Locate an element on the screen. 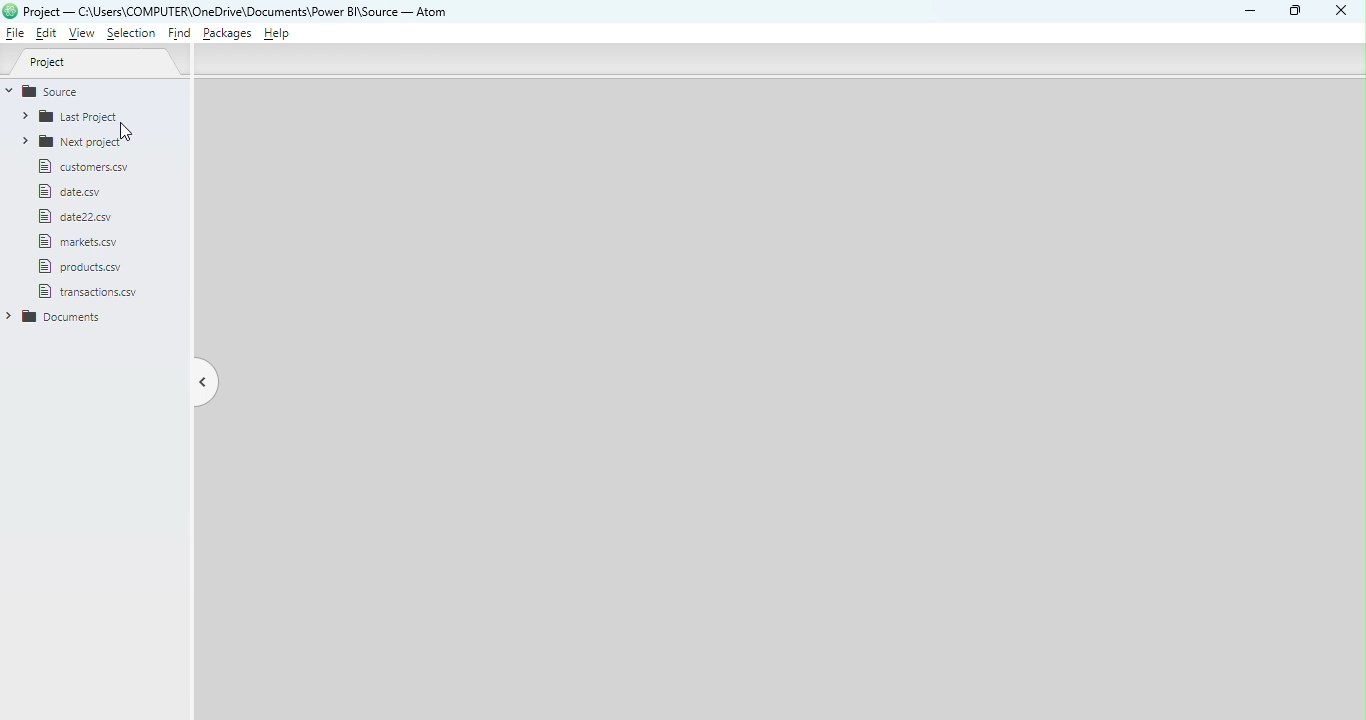 The image size is (1366, 720). View is located at coordinates (78, 34).